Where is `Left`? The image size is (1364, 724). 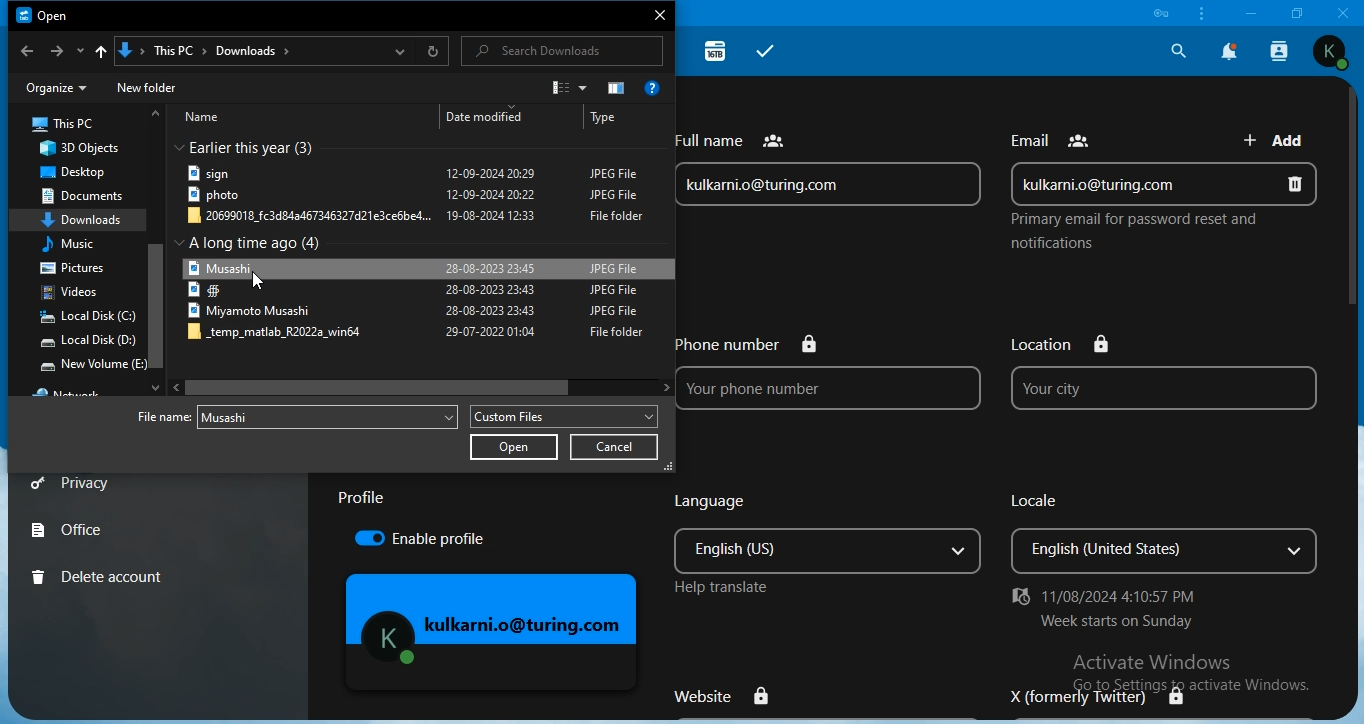
Left is located at coordinates (176, 387).